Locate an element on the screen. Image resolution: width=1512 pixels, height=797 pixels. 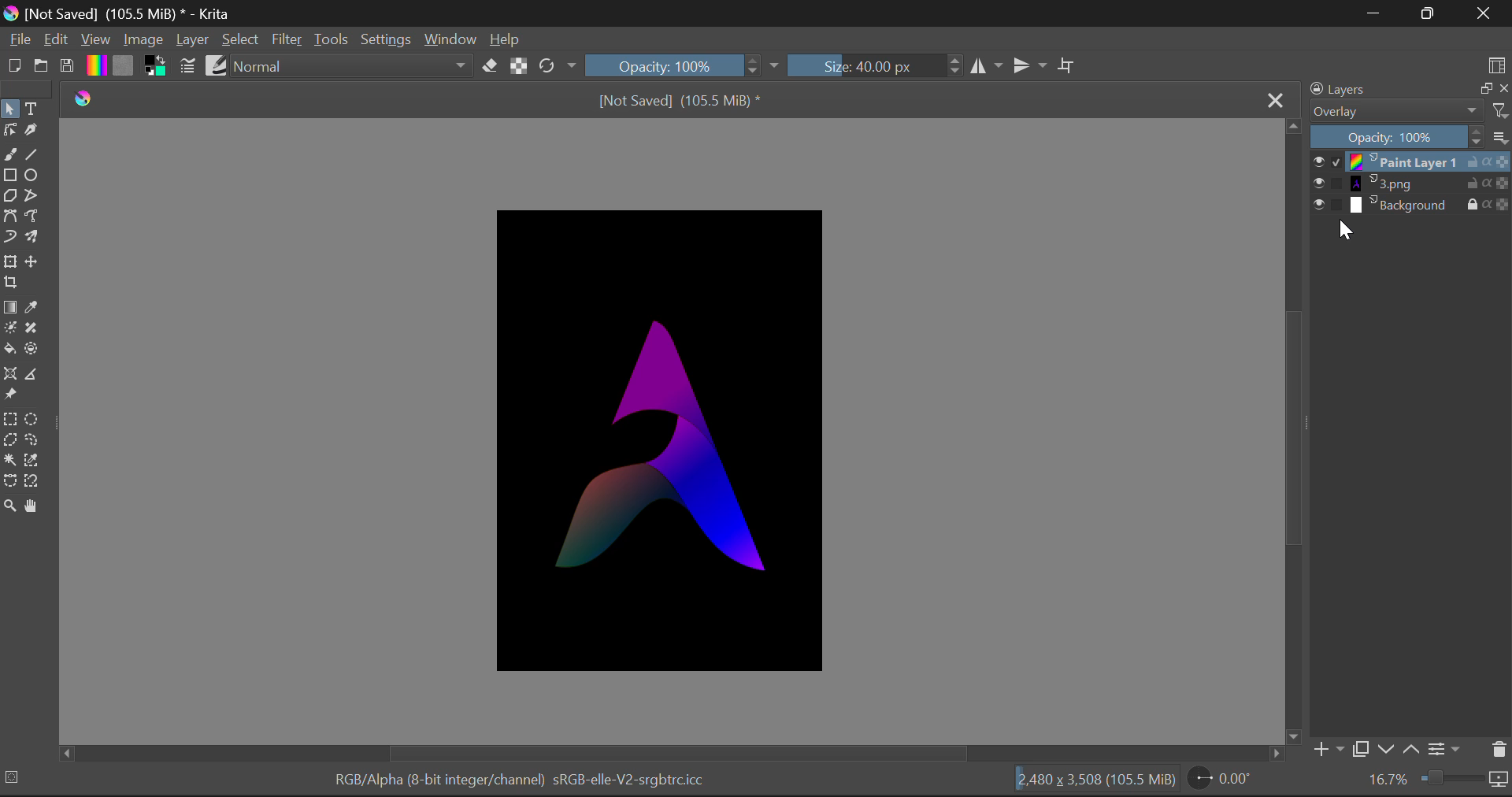
Delete Layer is located at coordinates (1499, 751).